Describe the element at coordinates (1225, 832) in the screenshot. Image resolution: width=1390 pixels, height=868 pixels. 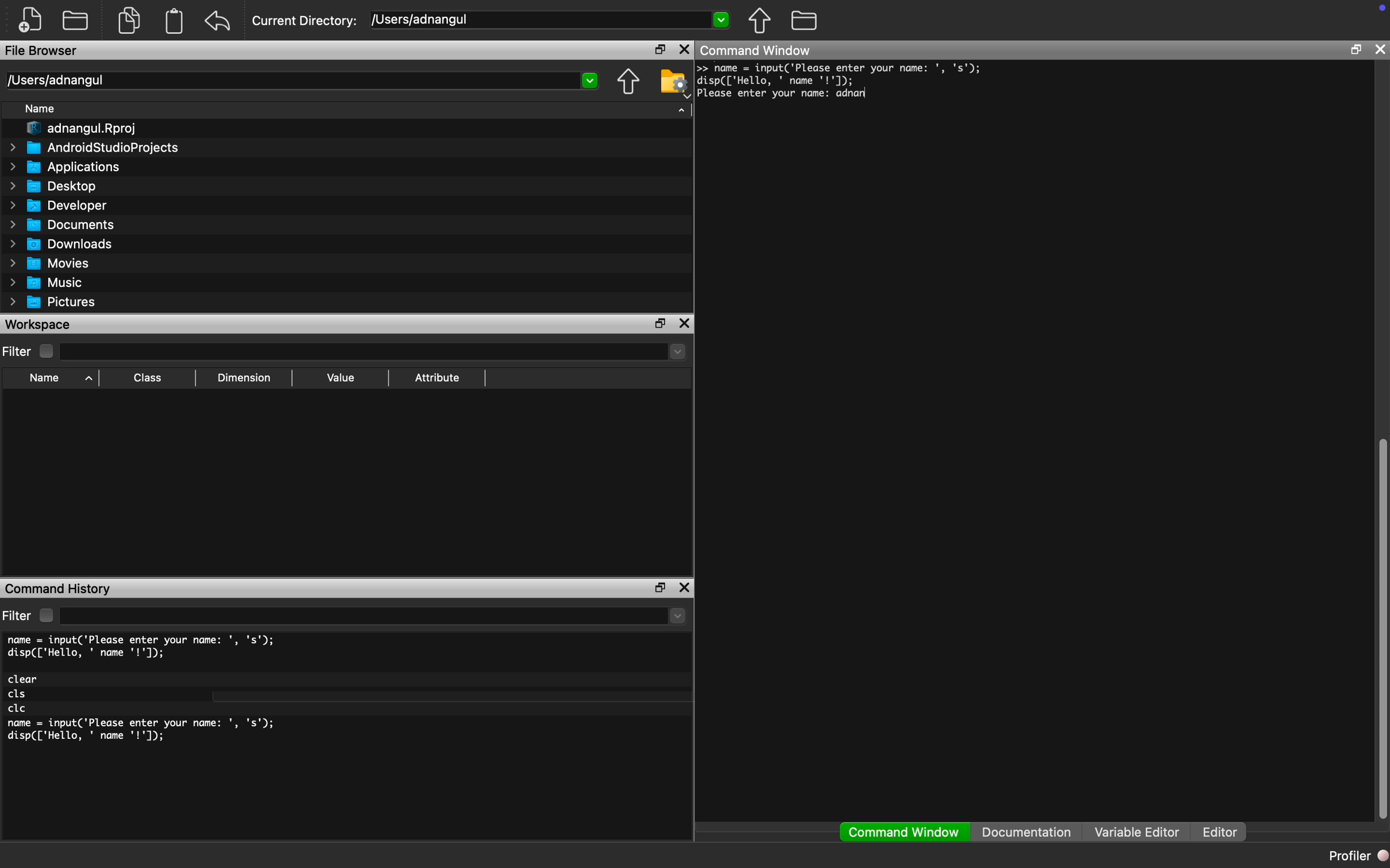
I see `Editor` at that location.